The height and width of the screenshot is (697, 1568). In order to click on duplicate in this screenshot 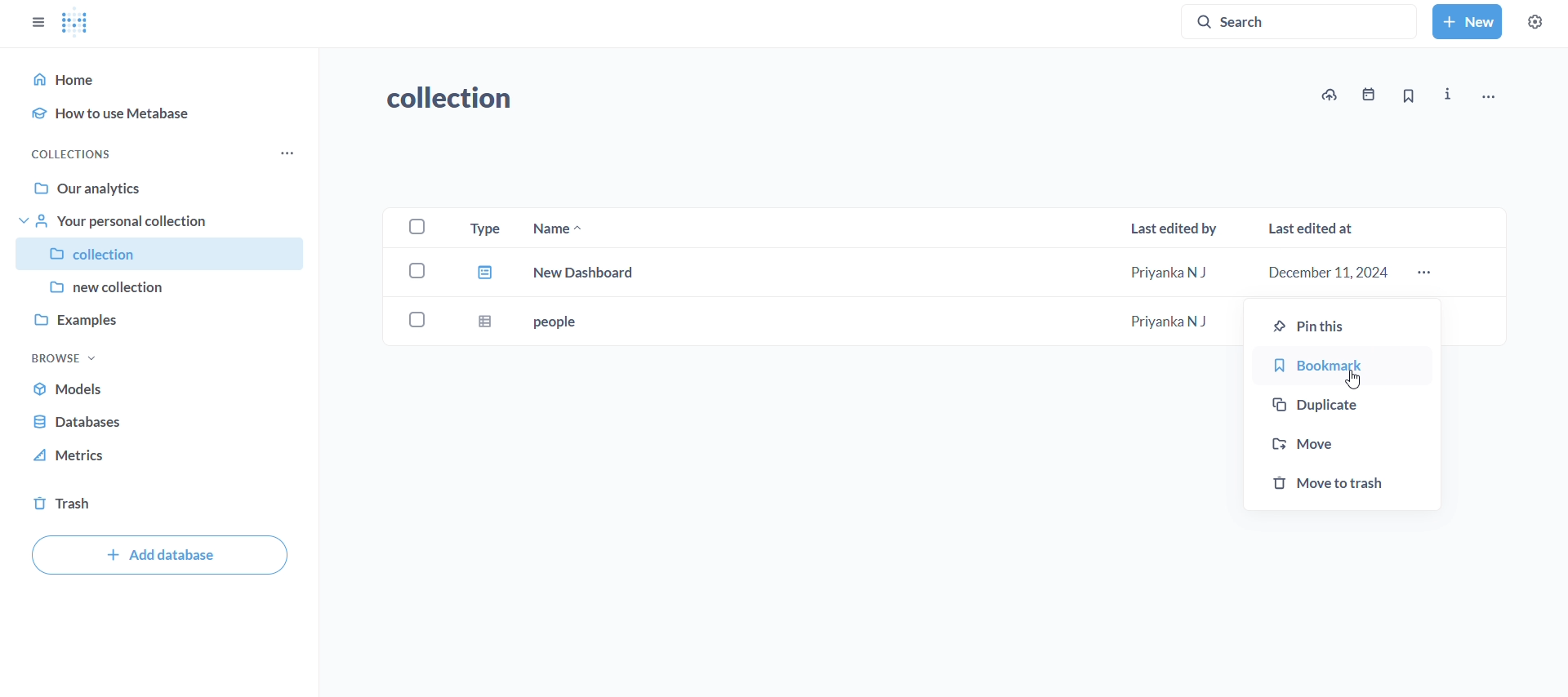, I will do `click(1339, 406)`.